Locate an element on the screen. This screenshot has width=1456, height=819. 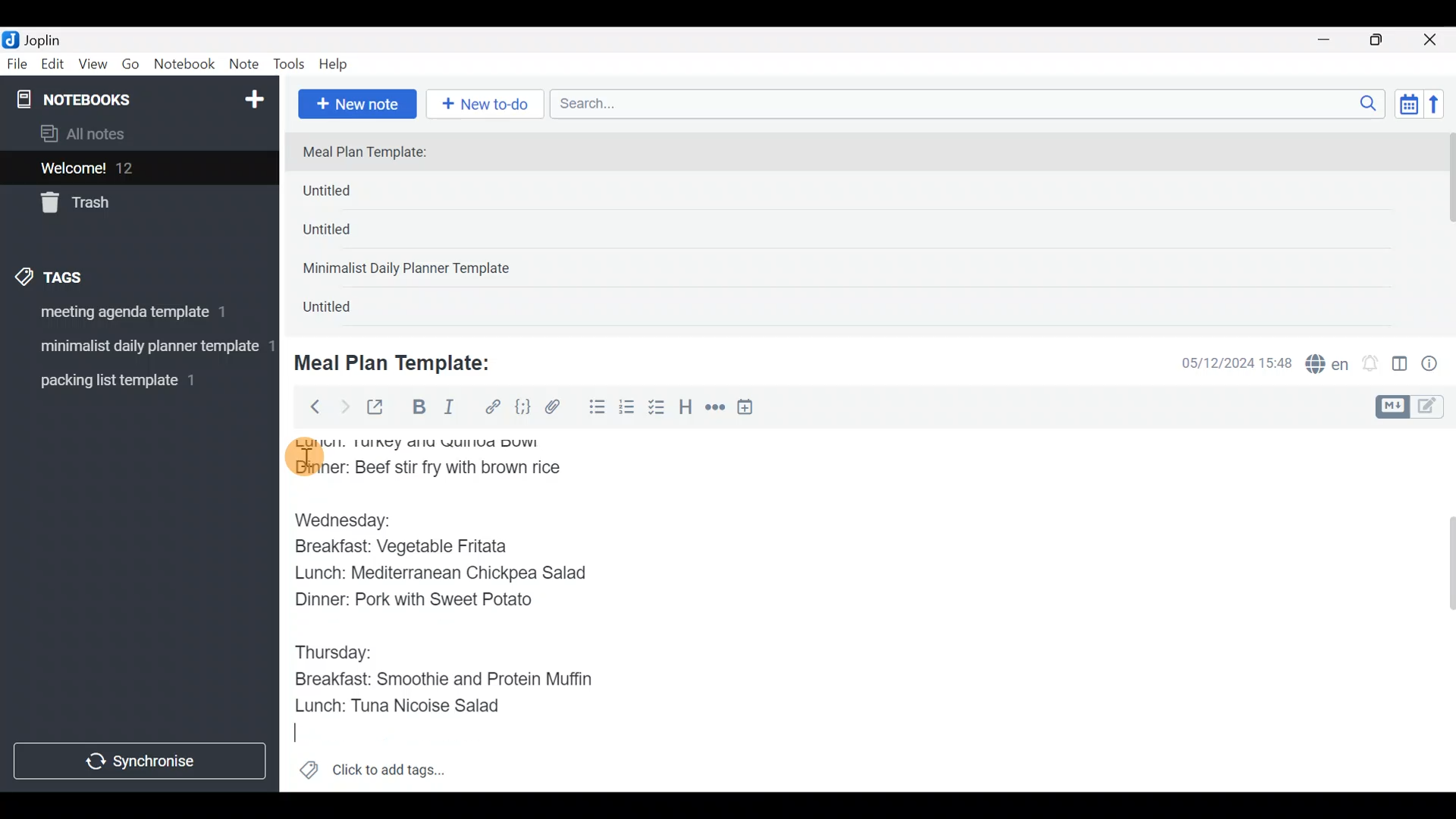
Go is located at coordinates (130, 67).